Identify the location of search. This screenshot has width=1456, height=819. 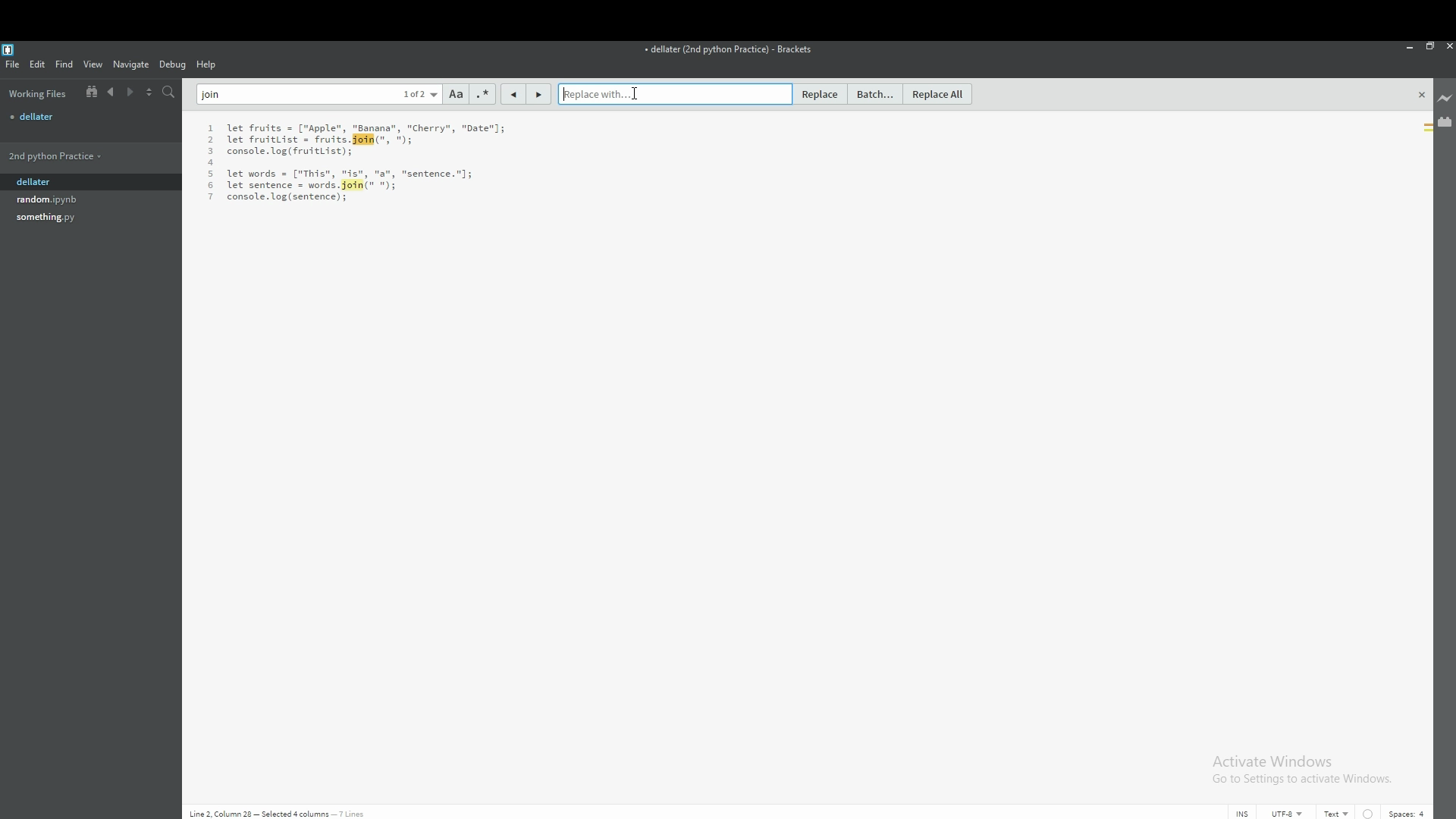
(169, 92).